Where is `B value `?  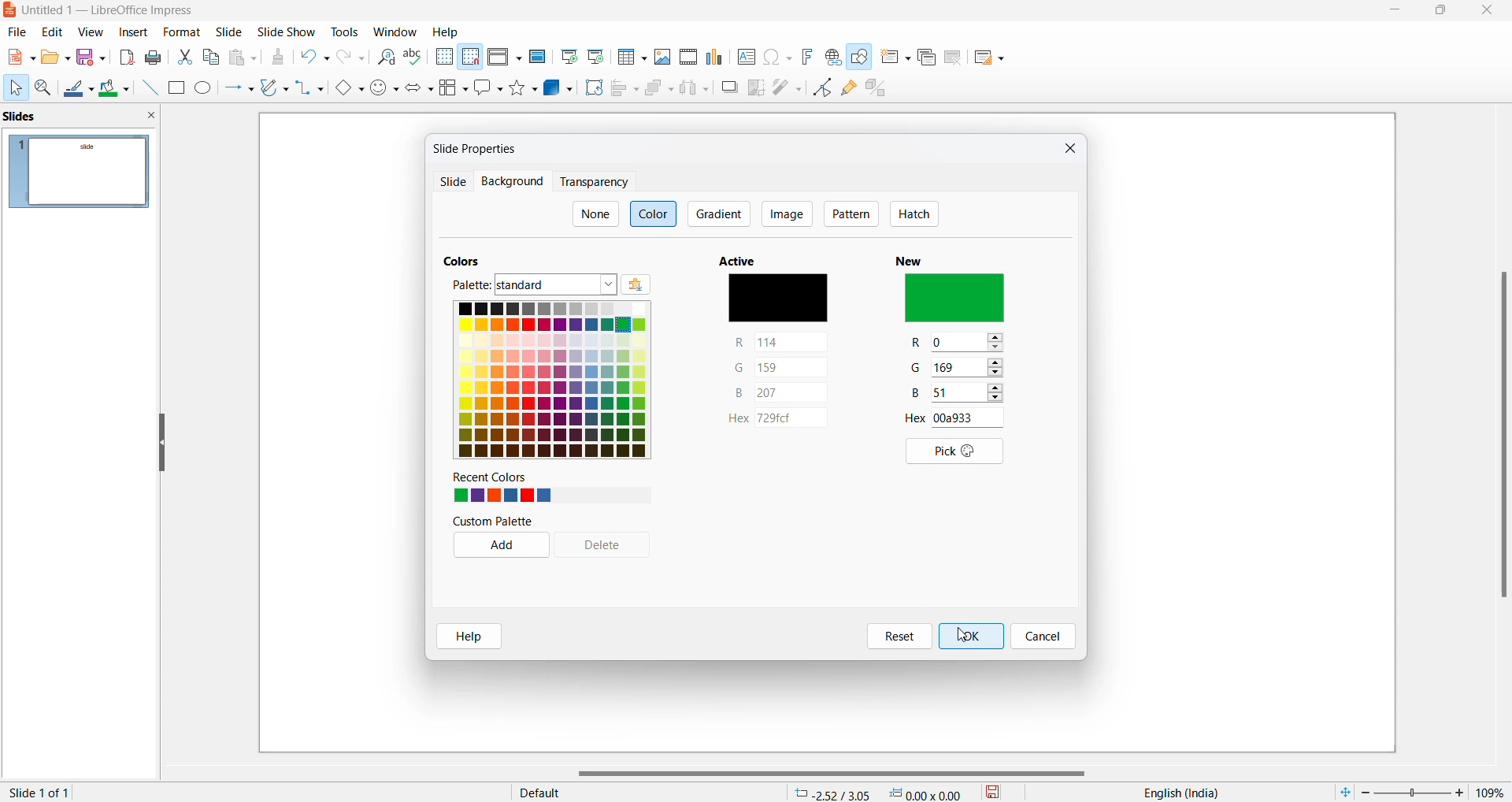 B value  is located at coordinates (917, 394).